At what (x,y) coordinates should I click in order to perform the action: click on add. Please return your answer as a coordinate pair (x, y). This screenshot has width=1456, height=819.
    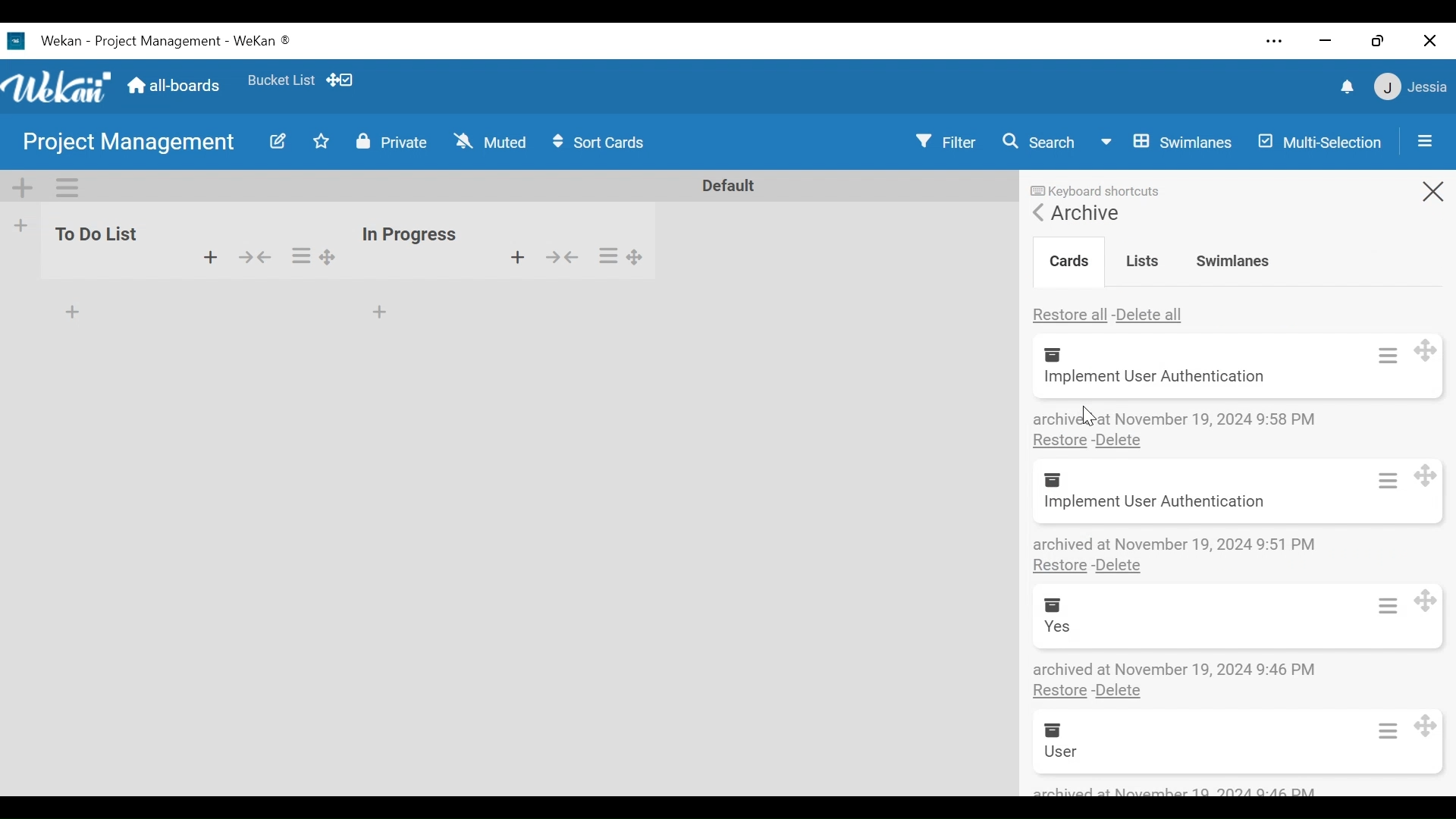
    Looking at the image, I should click on (209, 259).